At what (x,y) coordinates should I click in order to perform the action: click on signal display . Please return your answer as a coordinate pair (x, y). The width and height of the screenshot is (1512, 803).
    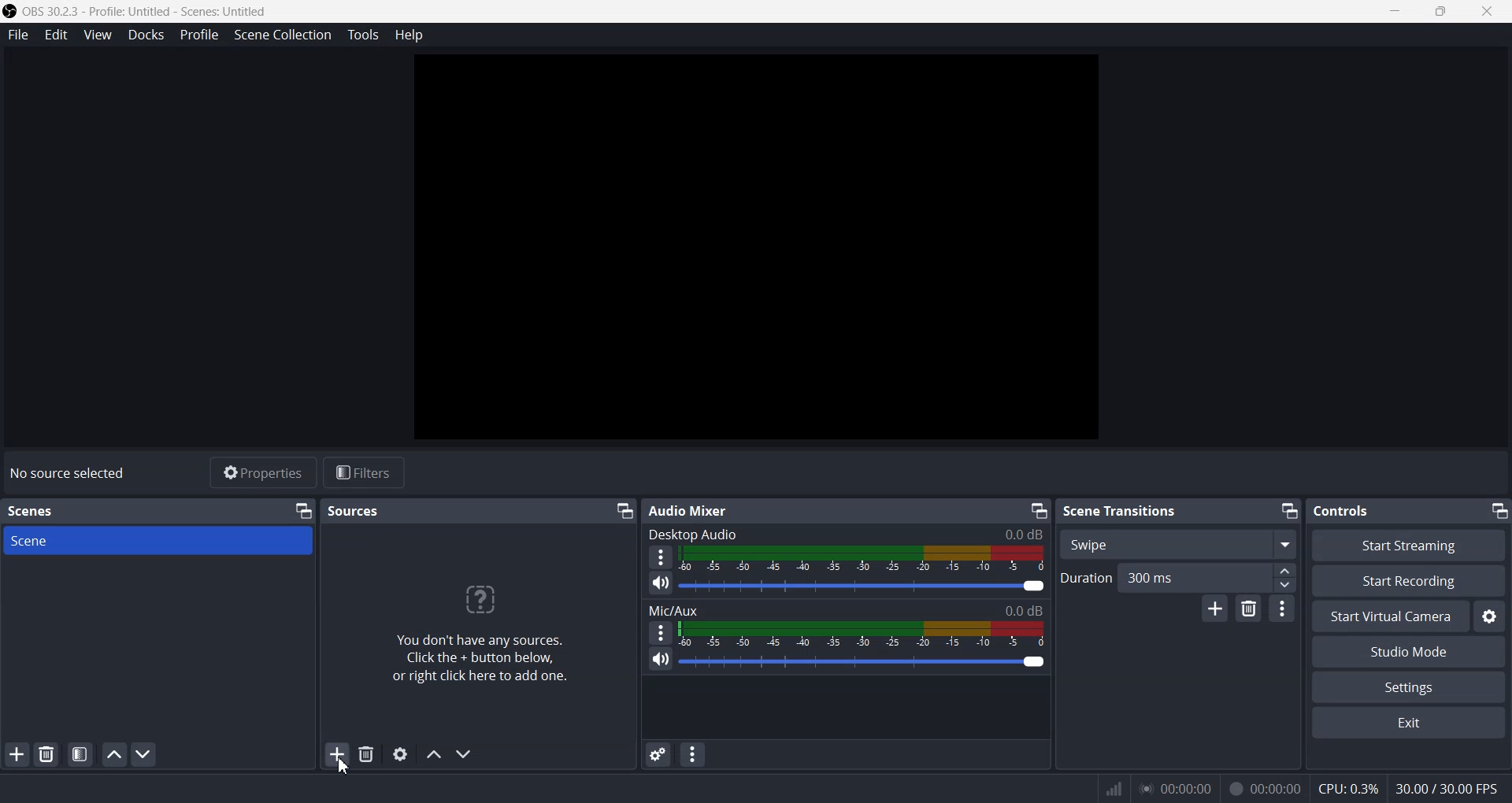
    Looking at the image, I should click on (1114, 792).